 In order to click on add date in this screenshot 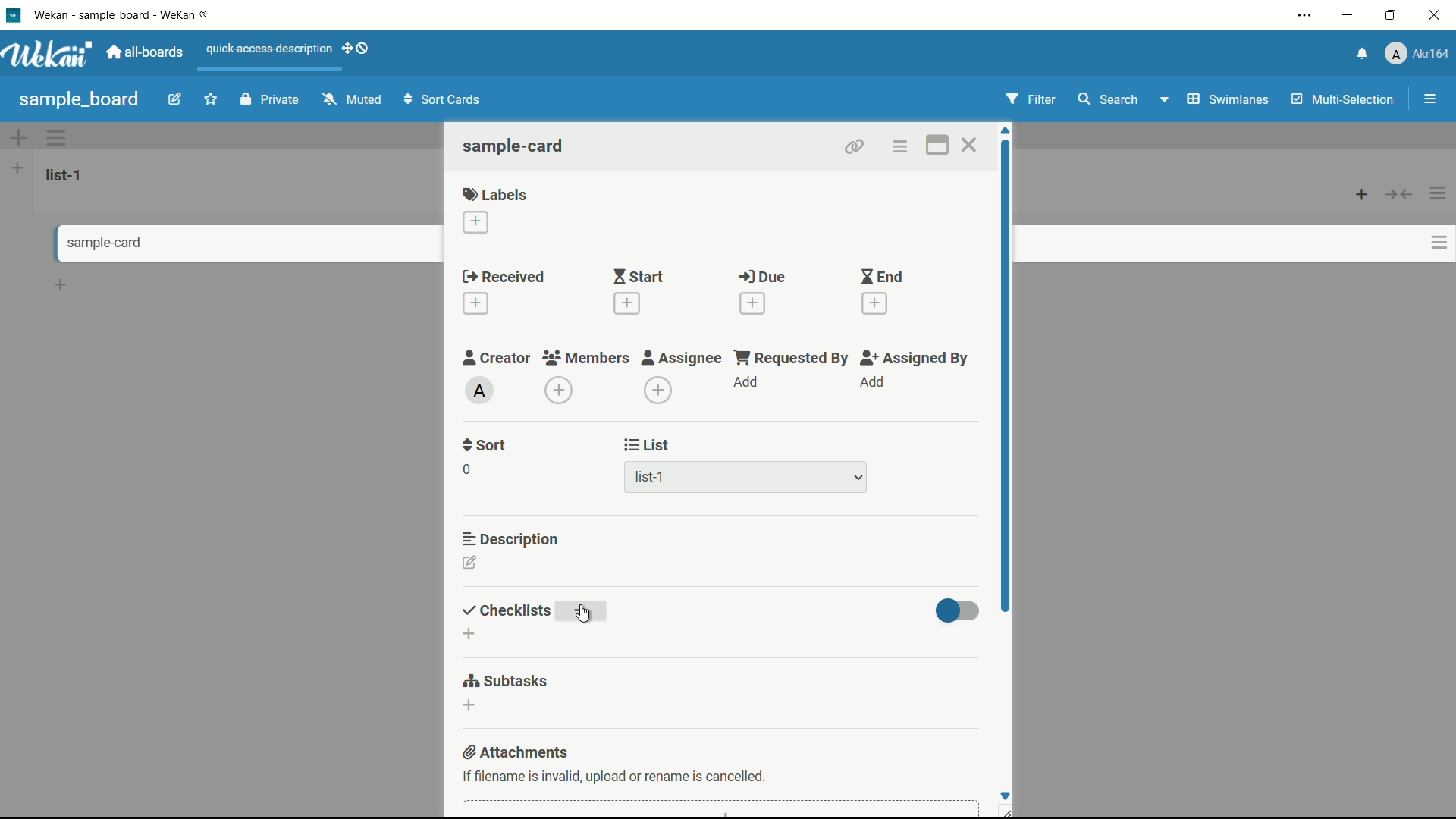, I will do `click(475, 304)`.